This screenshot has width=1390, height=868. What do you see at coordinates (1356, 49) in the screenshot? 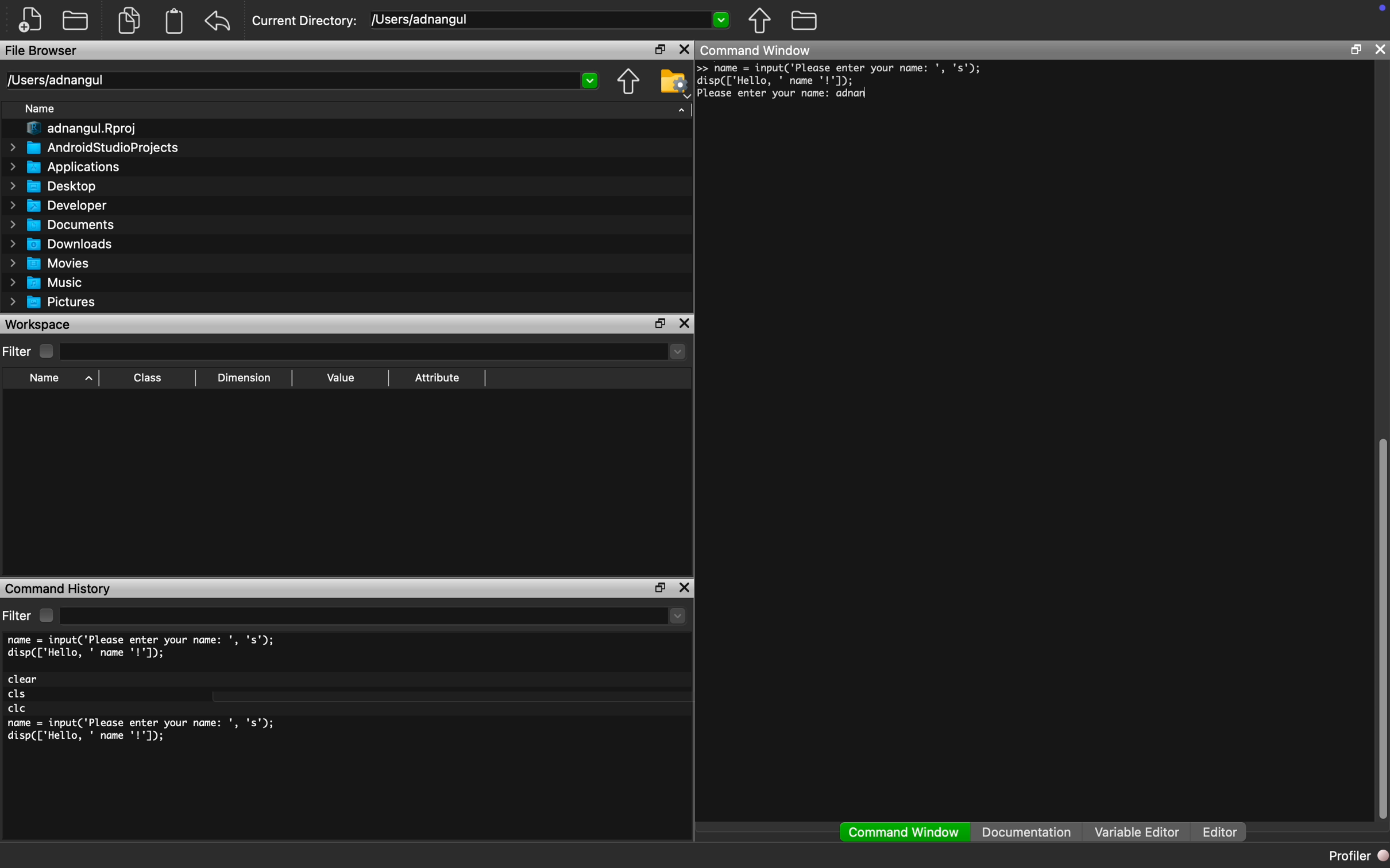
I see `maximize` at bounding box center [1356, 49].